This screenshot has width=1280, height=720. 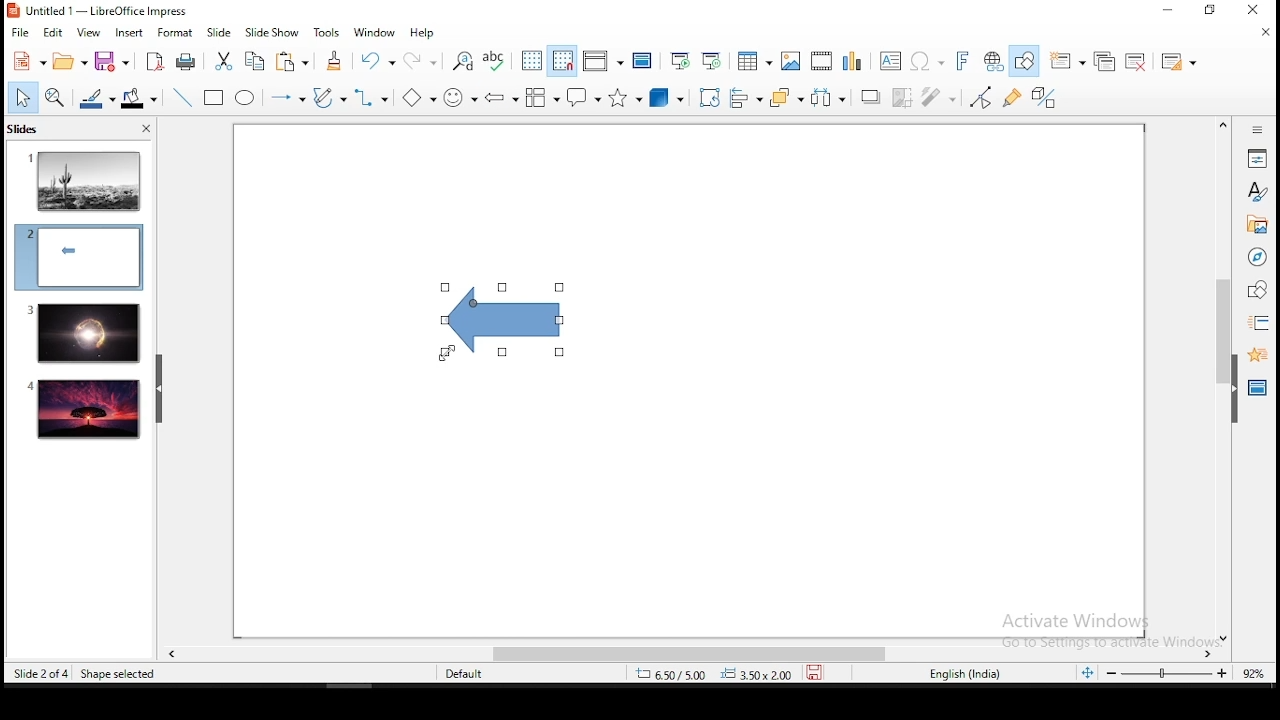 I want to click on new slide, so click(x=1069, y=60).